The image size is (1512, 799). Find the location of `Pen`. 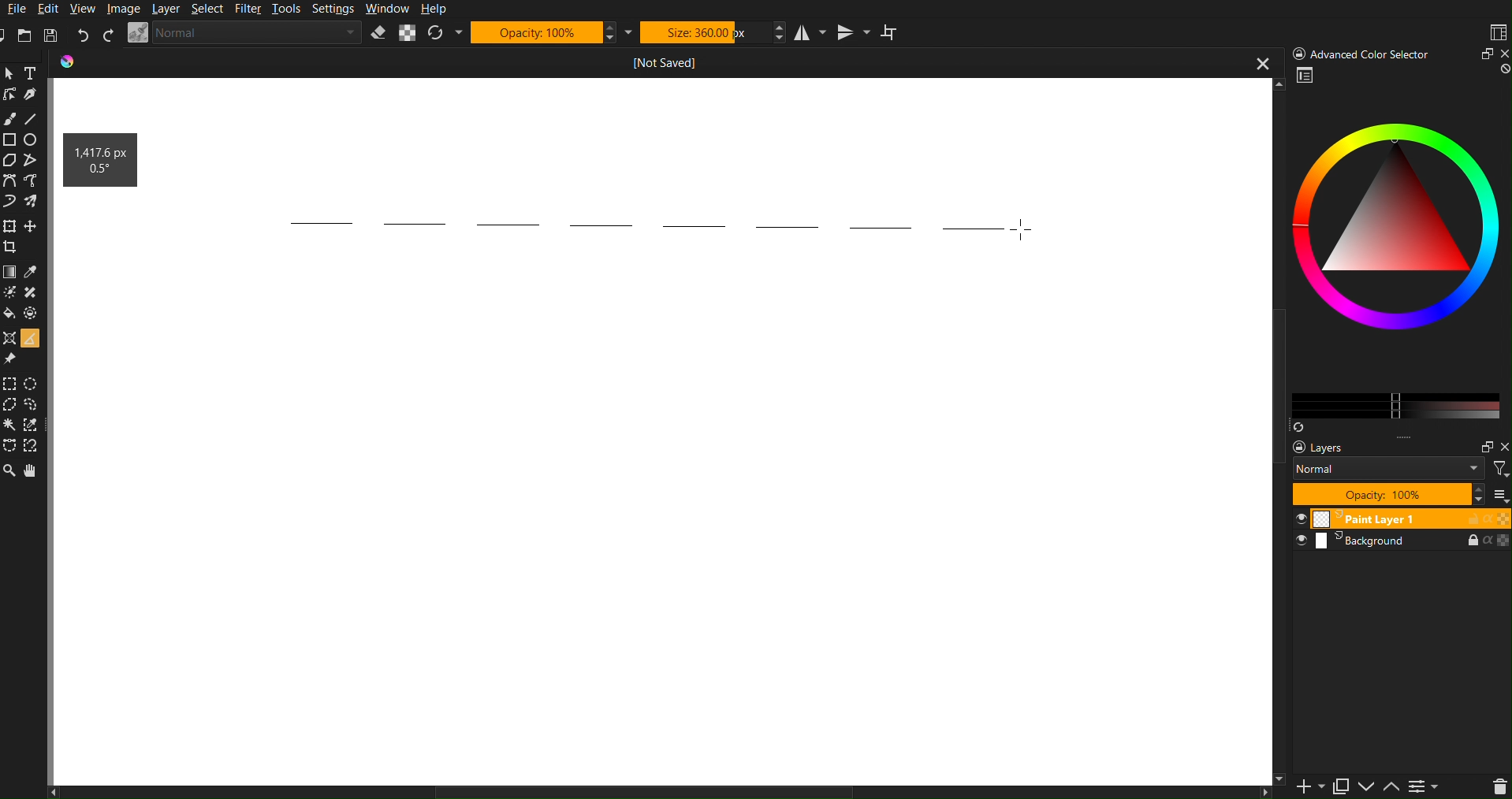

Pen is located at coordinates (32, 93).